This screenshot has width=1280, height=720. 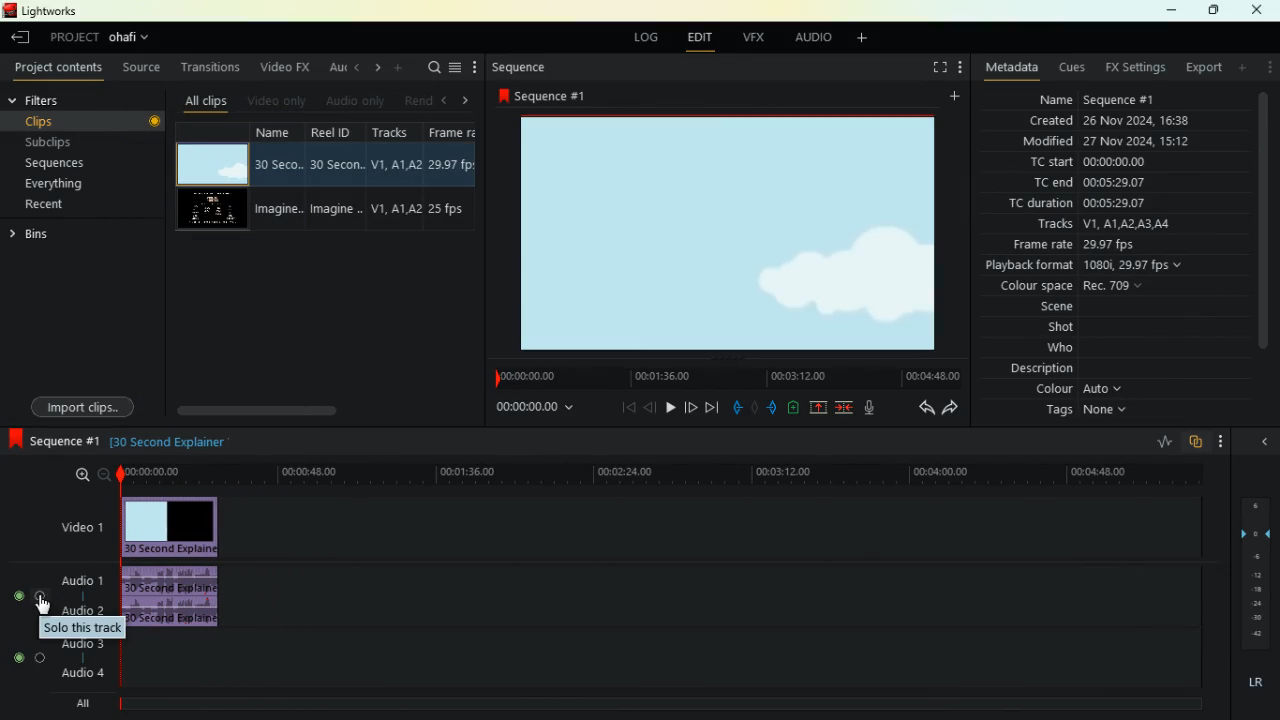 What do you see at coordinates (665, 661) in the screenshot?
I see `audio 3 and audio 4 timeline track` at bounding box center [665, 661].